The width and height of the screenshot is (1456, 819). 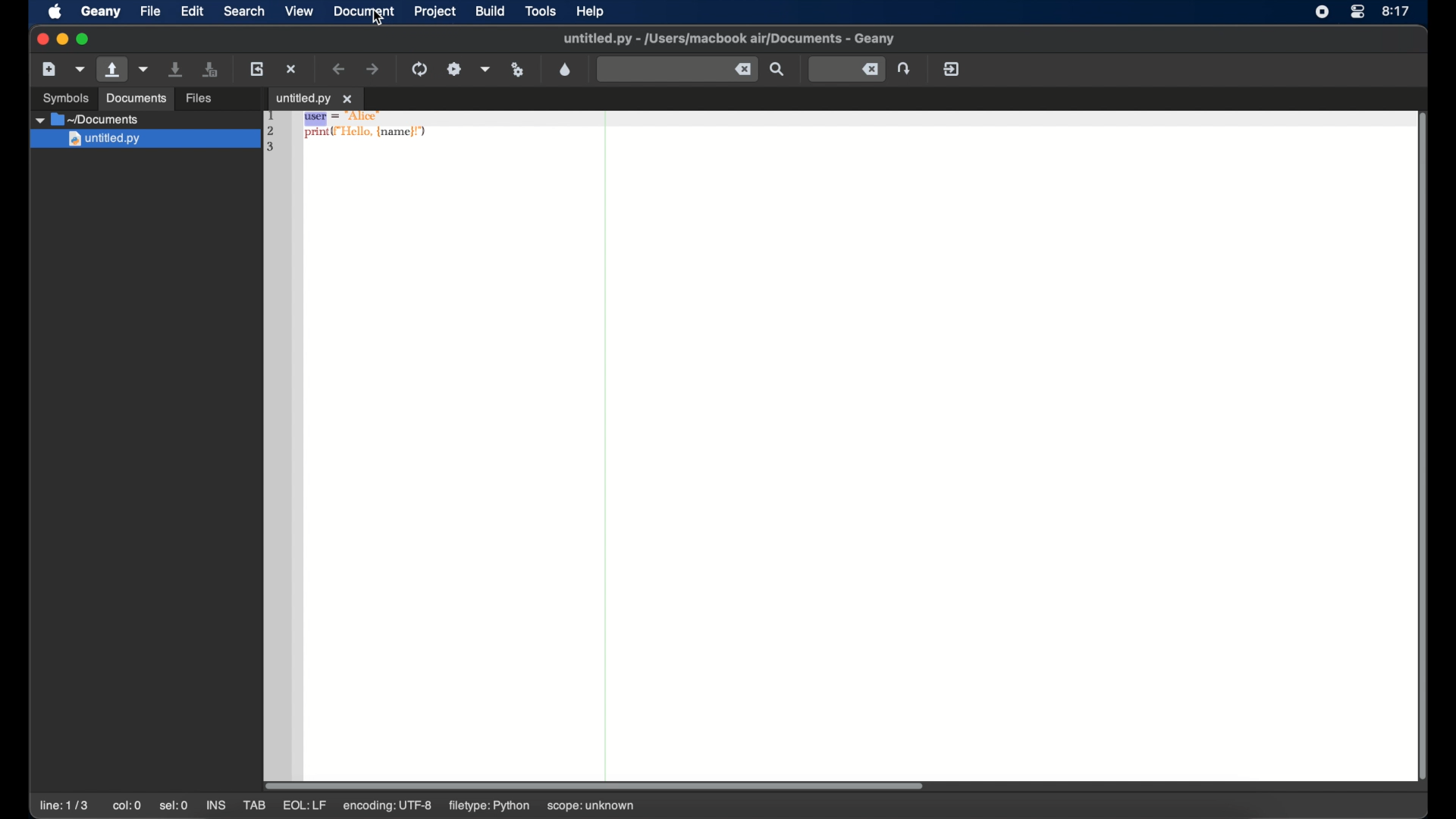 What do you see at coordinates (729, 39) in the screenshot?
I see `file name` at bounding box center [729, 39].